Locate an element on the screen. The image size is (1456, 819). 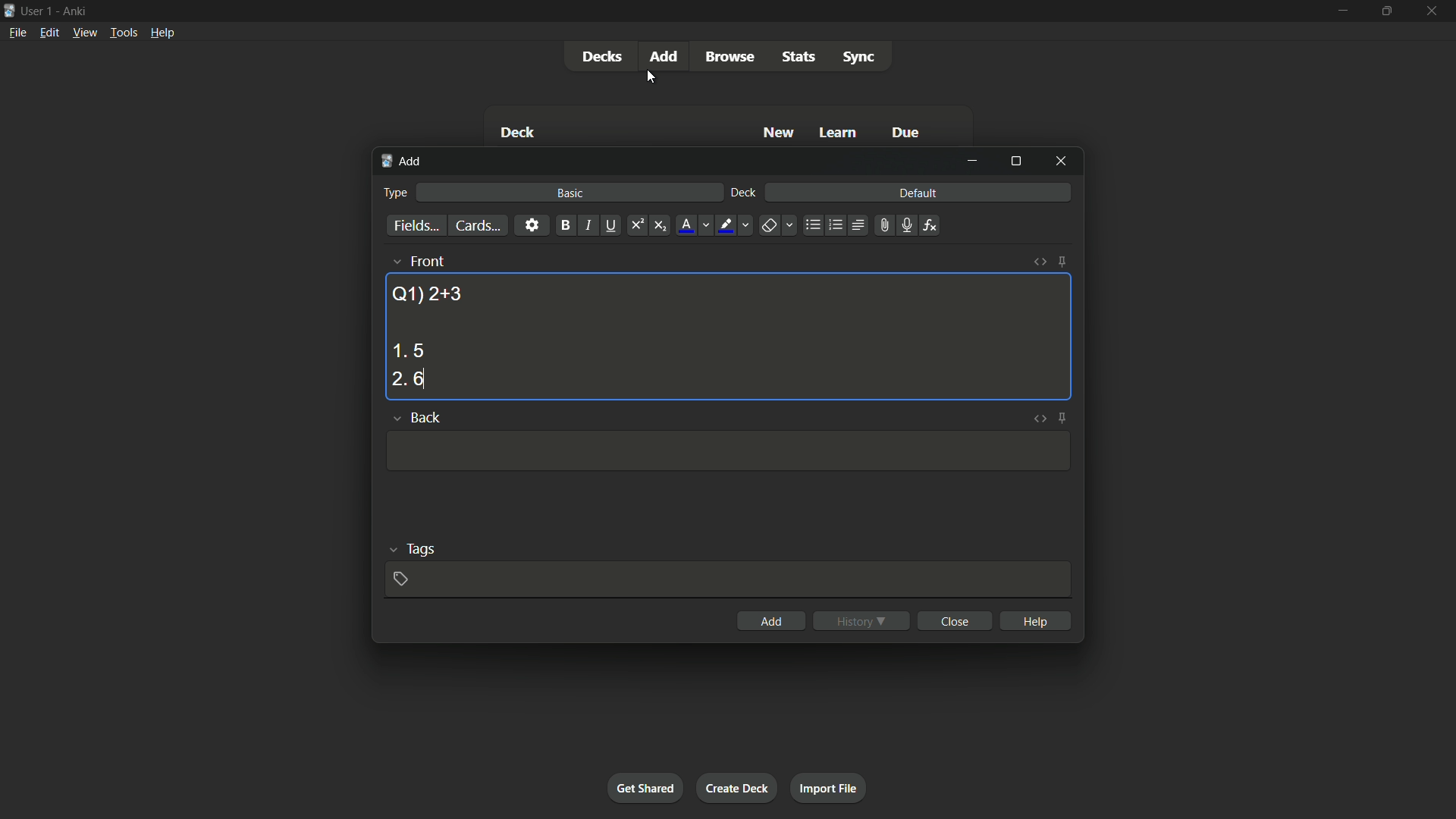
cursor is located at coordinates (651, 78).